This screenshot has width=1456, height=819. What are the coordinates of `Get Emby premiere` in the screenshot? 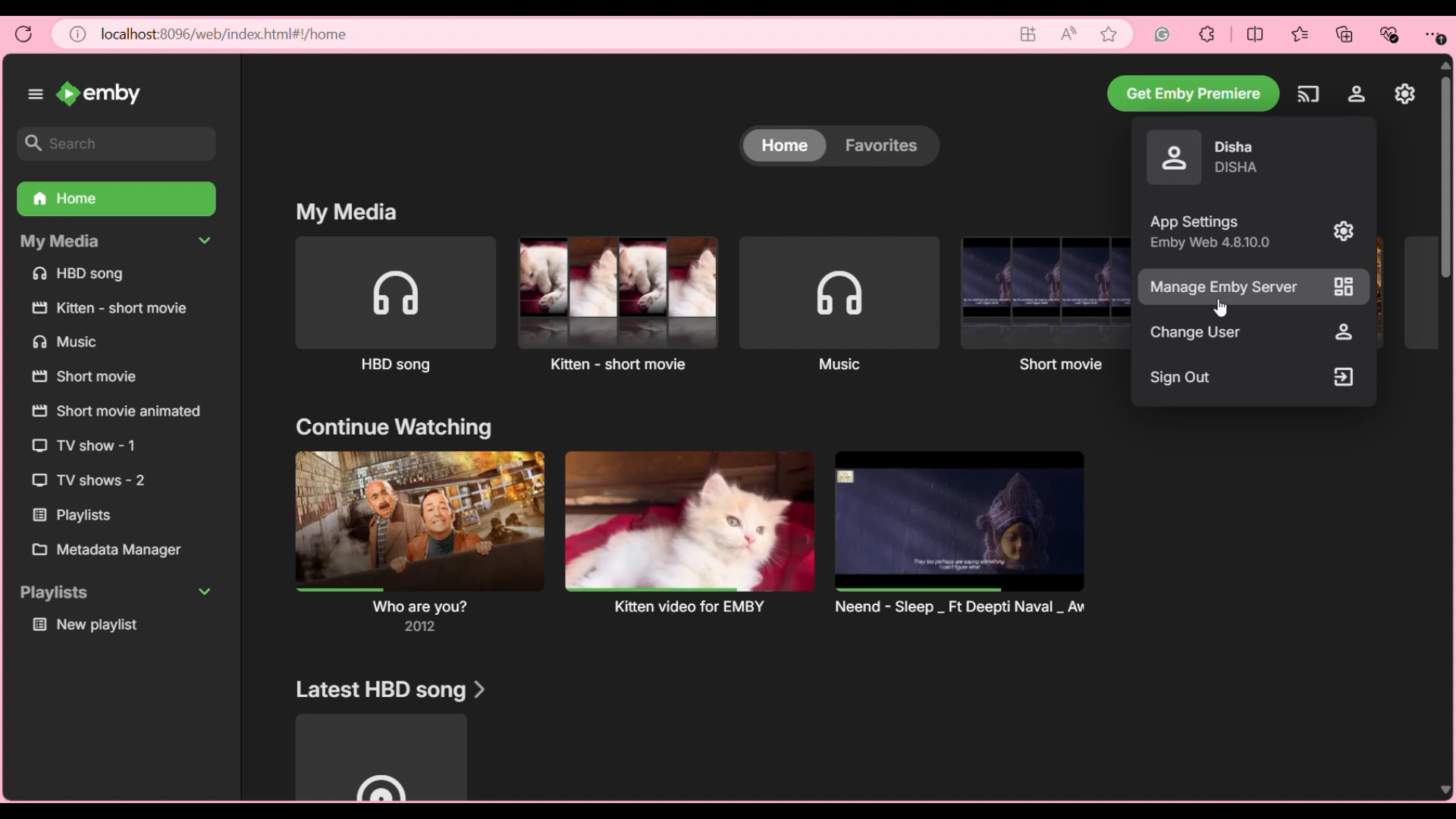 It's located at (1193, 93).